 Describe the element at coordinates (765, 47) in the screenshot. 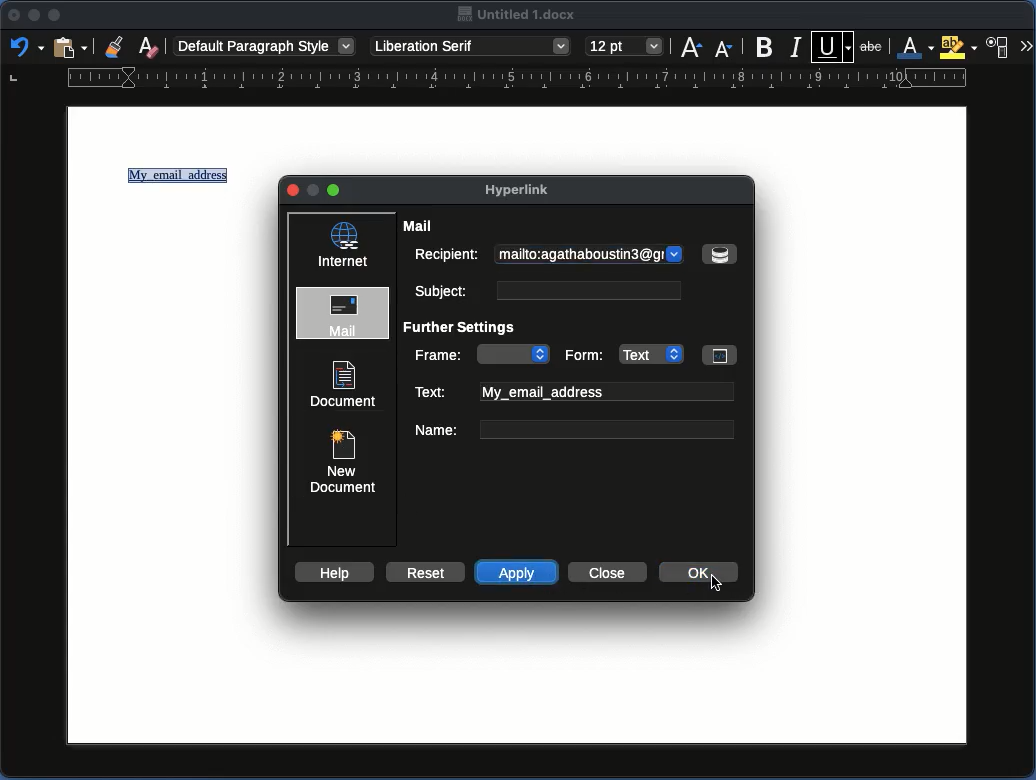

I see `Bold` at that location.